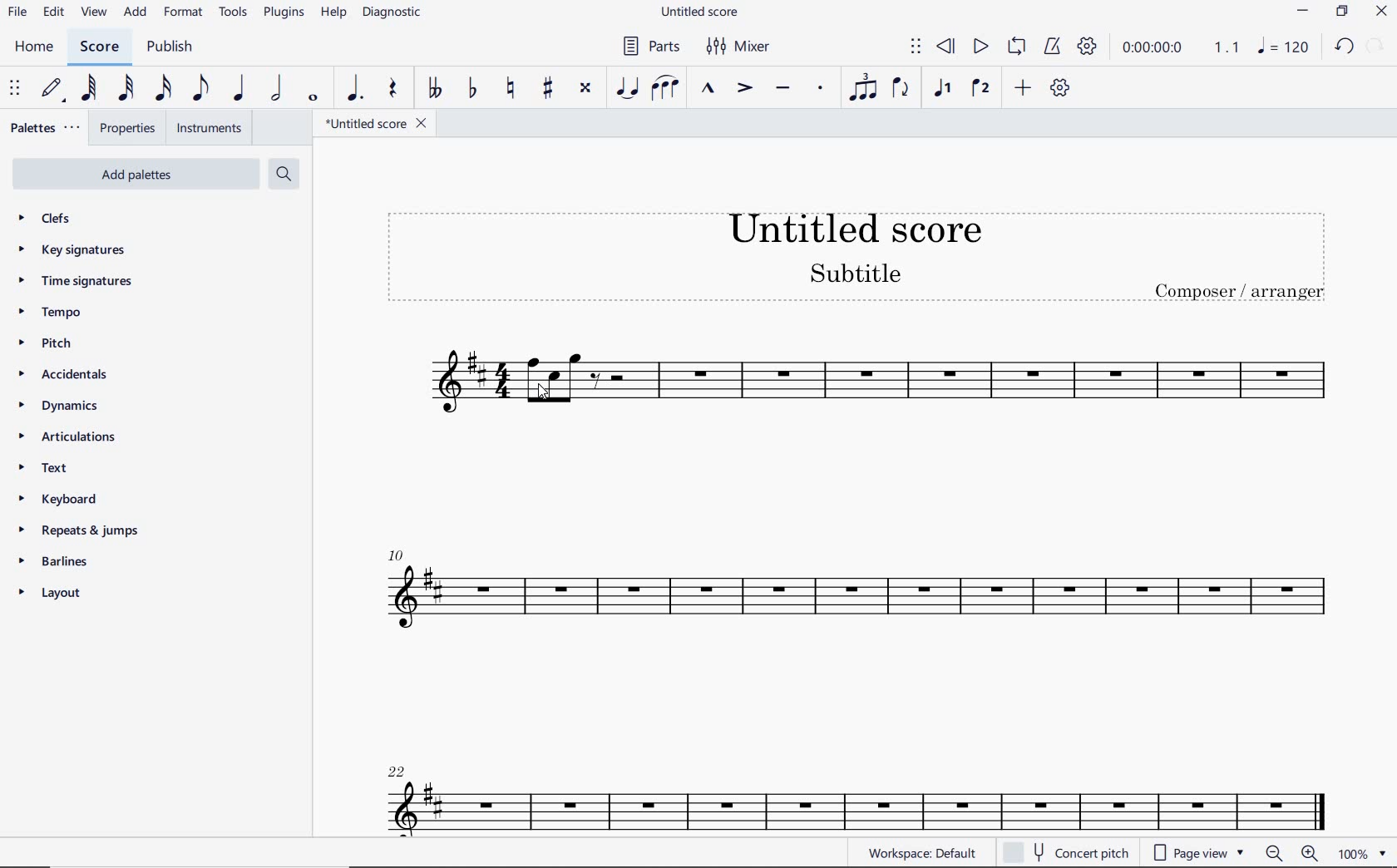 Image resolution: width=1397 pixels, height=868 pixels. What do you see at coordinates (1342, 12) in the screenshot?
I see `RESTORE DOWN` at bounding box center [1342, 12].